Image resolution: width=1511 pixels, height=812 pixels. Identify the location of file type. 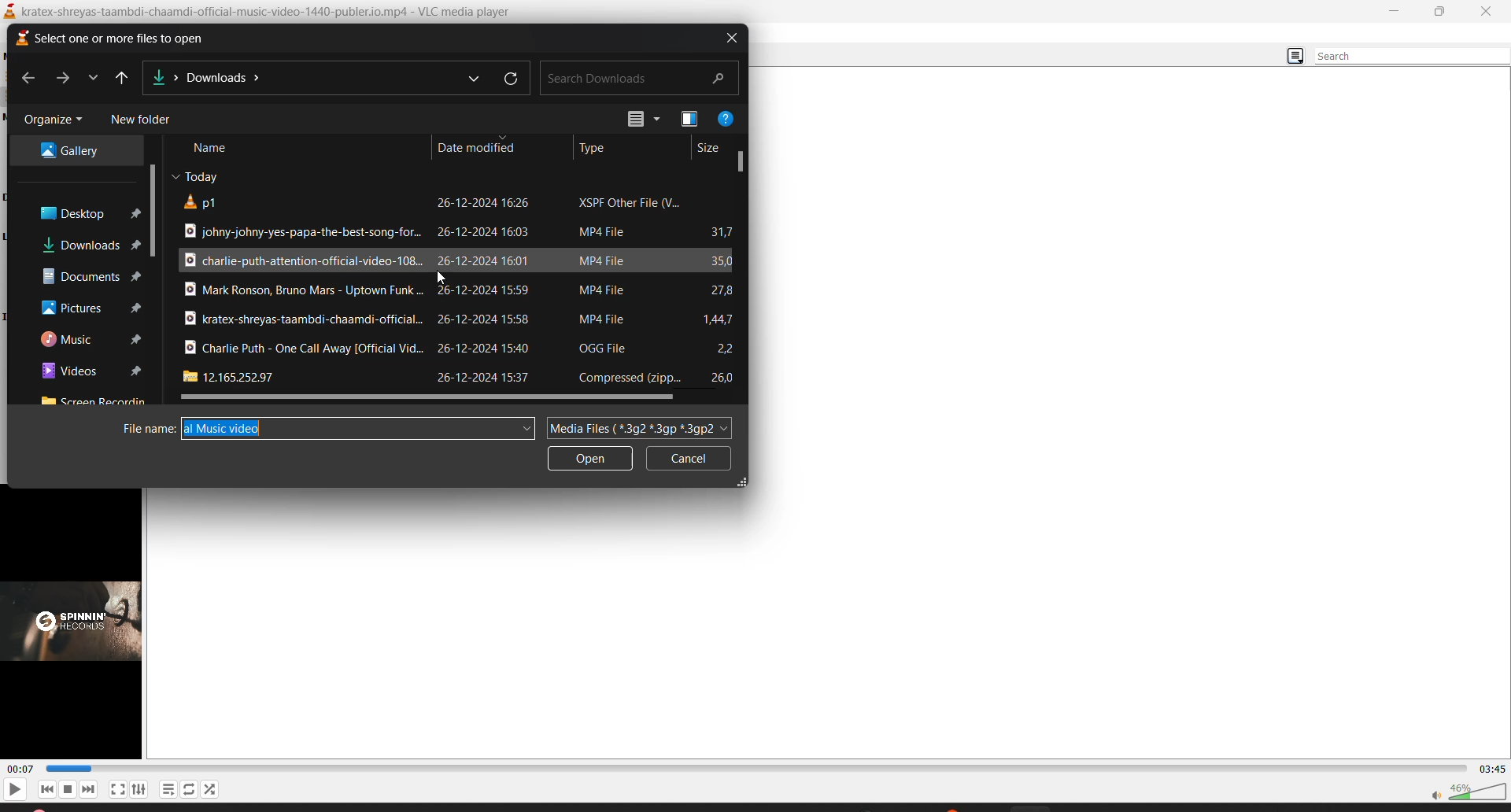
(611, 319).